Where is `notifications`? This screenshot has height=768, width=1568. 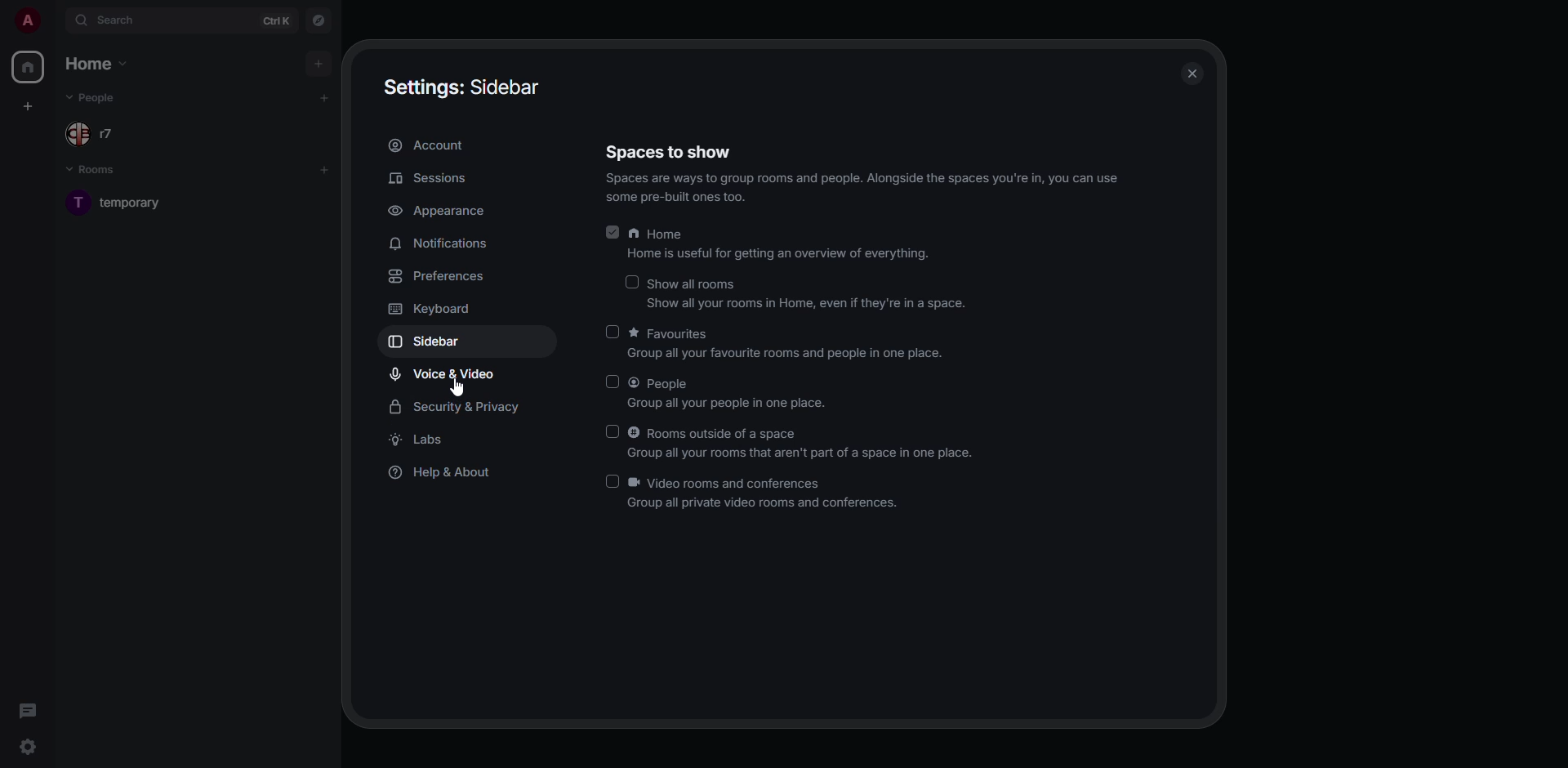
notifications is located at coordinates (448, 244).